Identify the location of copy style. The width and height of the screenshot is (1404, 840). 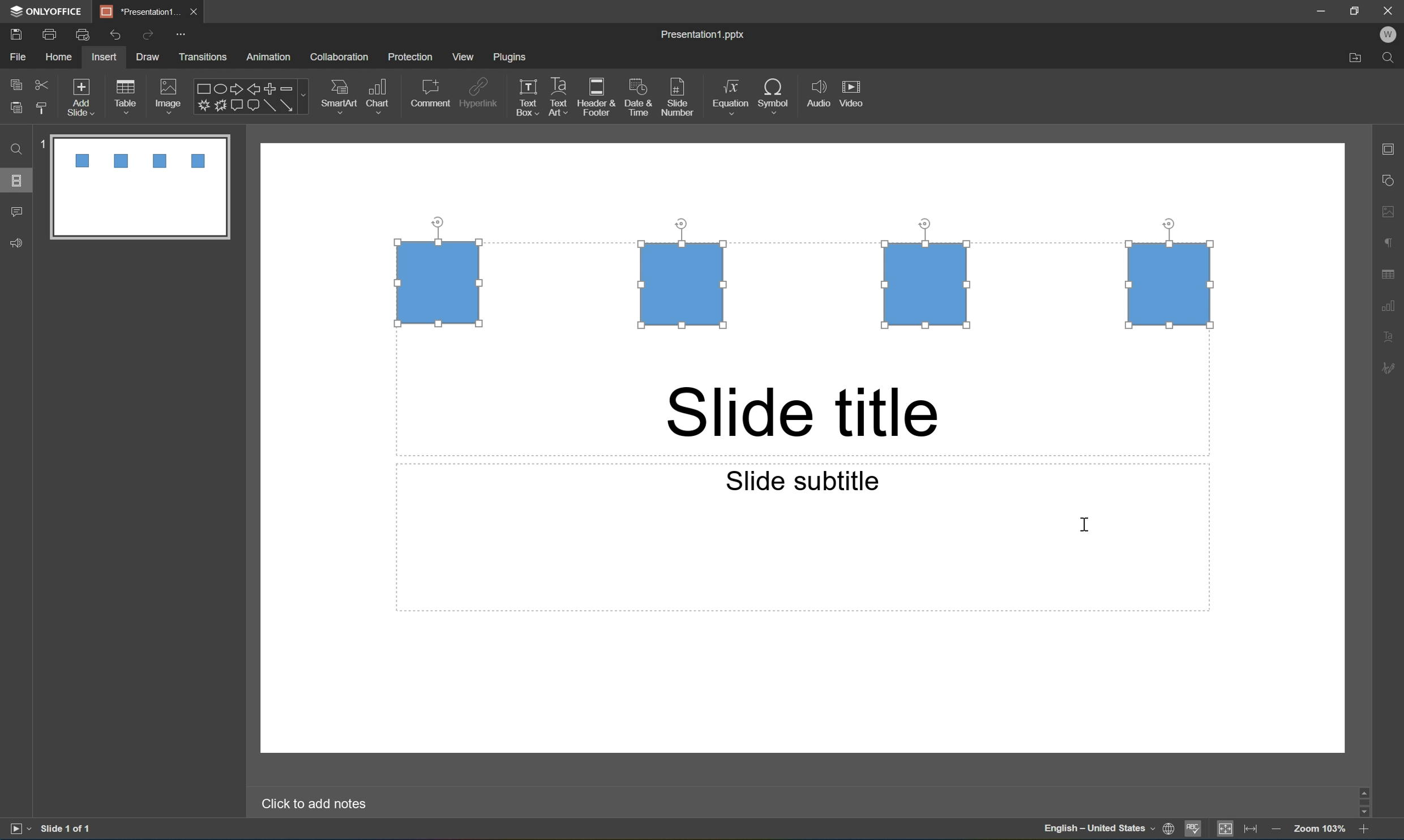
(42, 108).